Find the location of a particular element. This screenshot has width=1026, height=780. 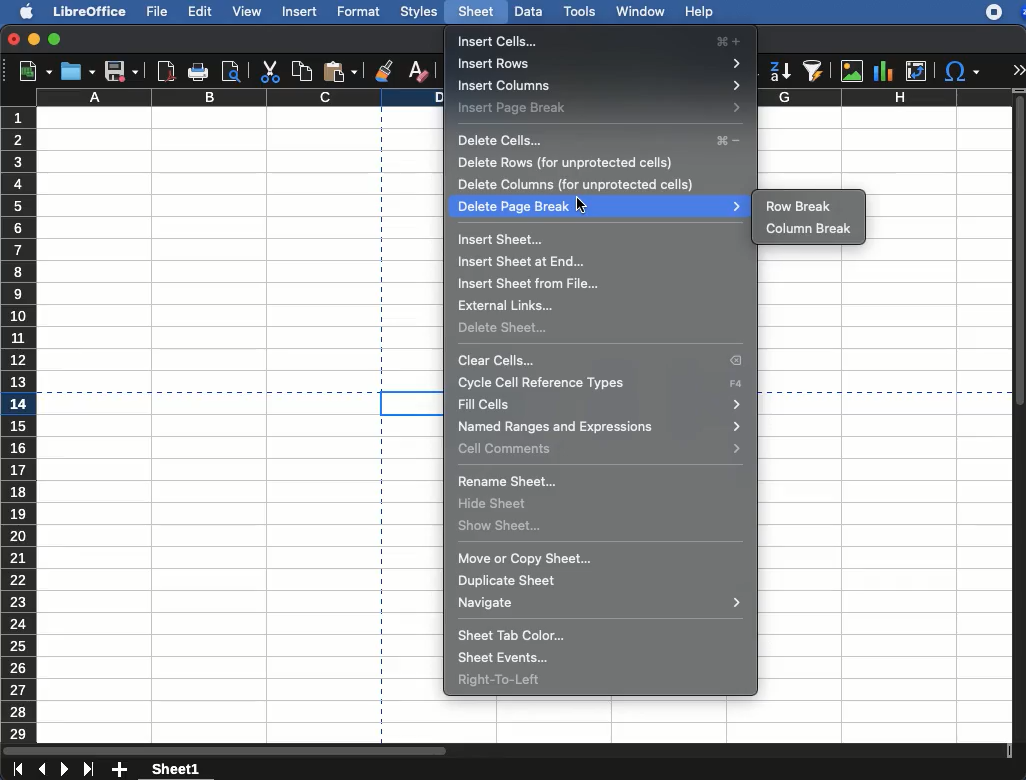

hide sheet is located at coordinates (496, 504).